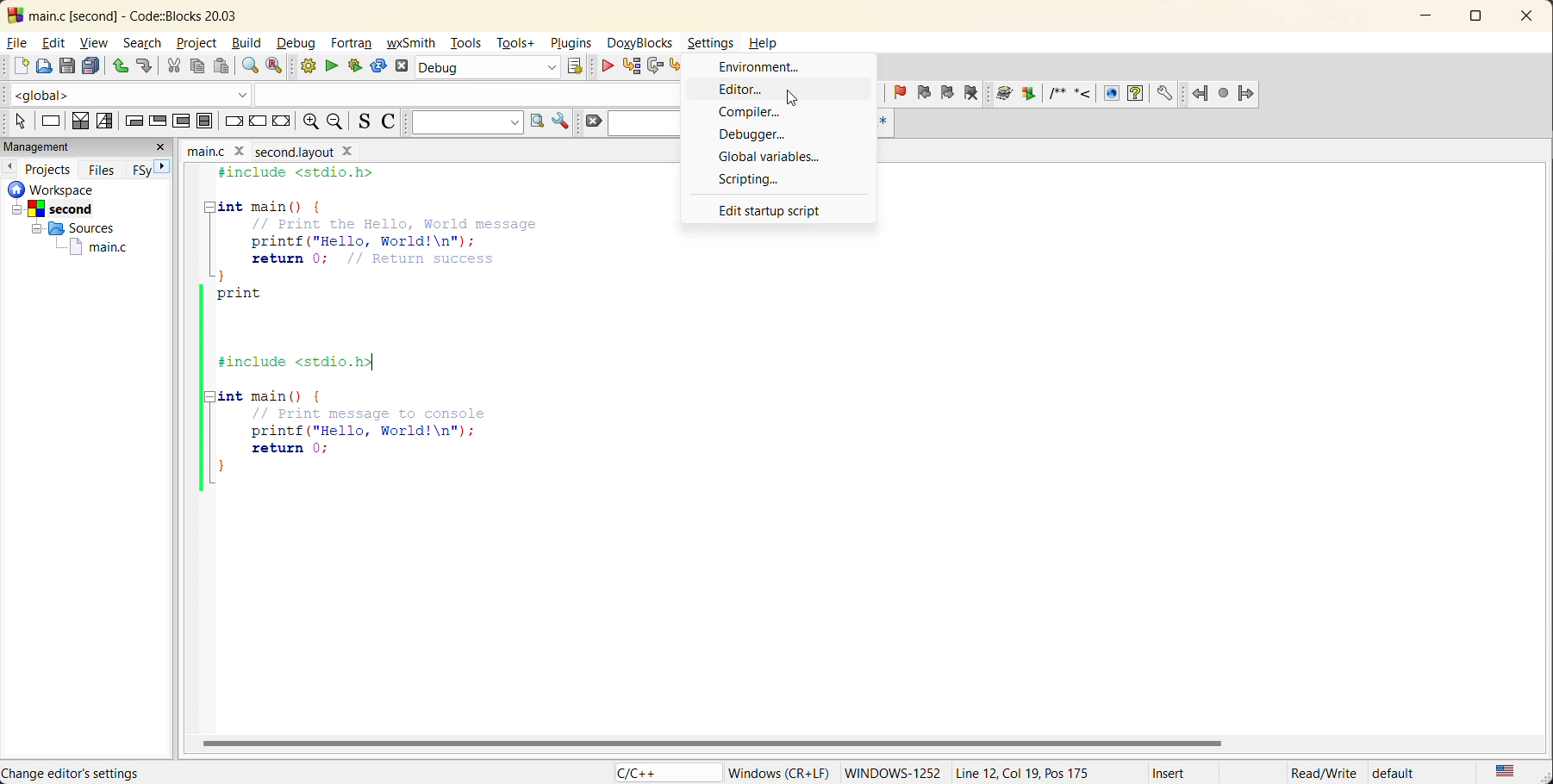  Describe the element at coordinates (140, 173) in the screenshot. I see `FSy` at that location.